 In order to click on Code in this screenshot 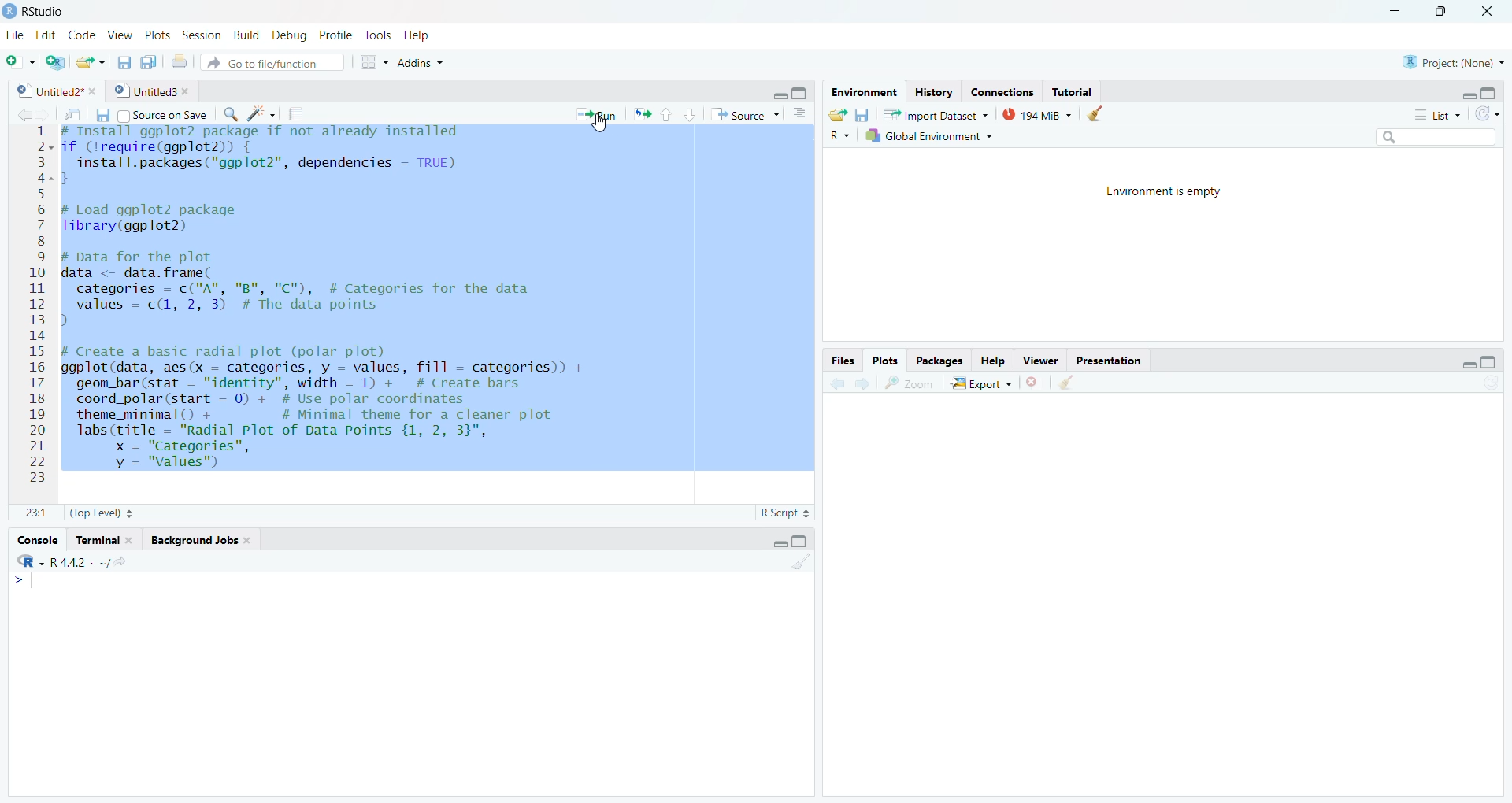, I will do `click(79, 36)`.